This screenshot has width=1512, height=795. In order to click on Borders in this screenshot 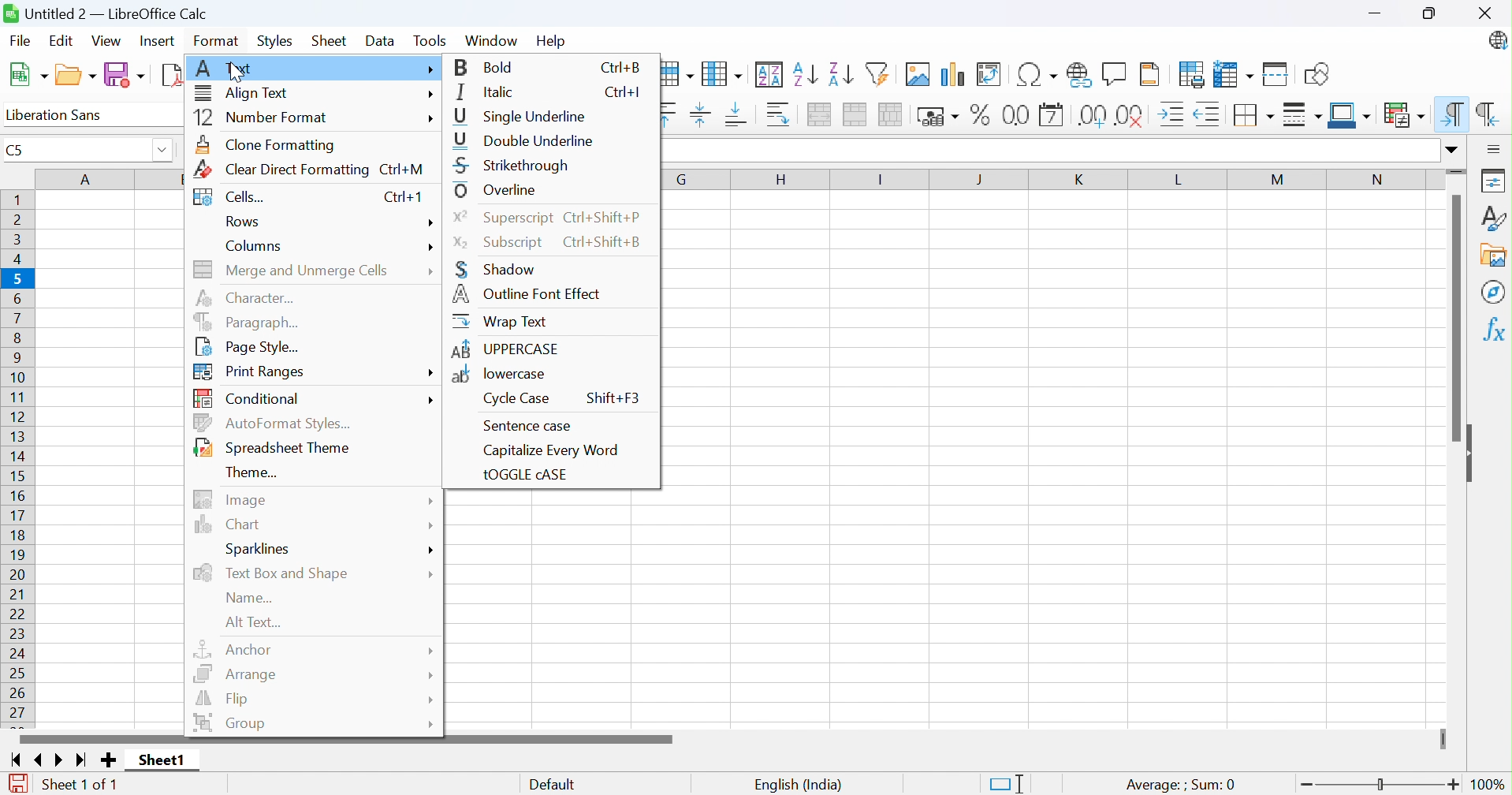, I will do `click(1256, 116)`.